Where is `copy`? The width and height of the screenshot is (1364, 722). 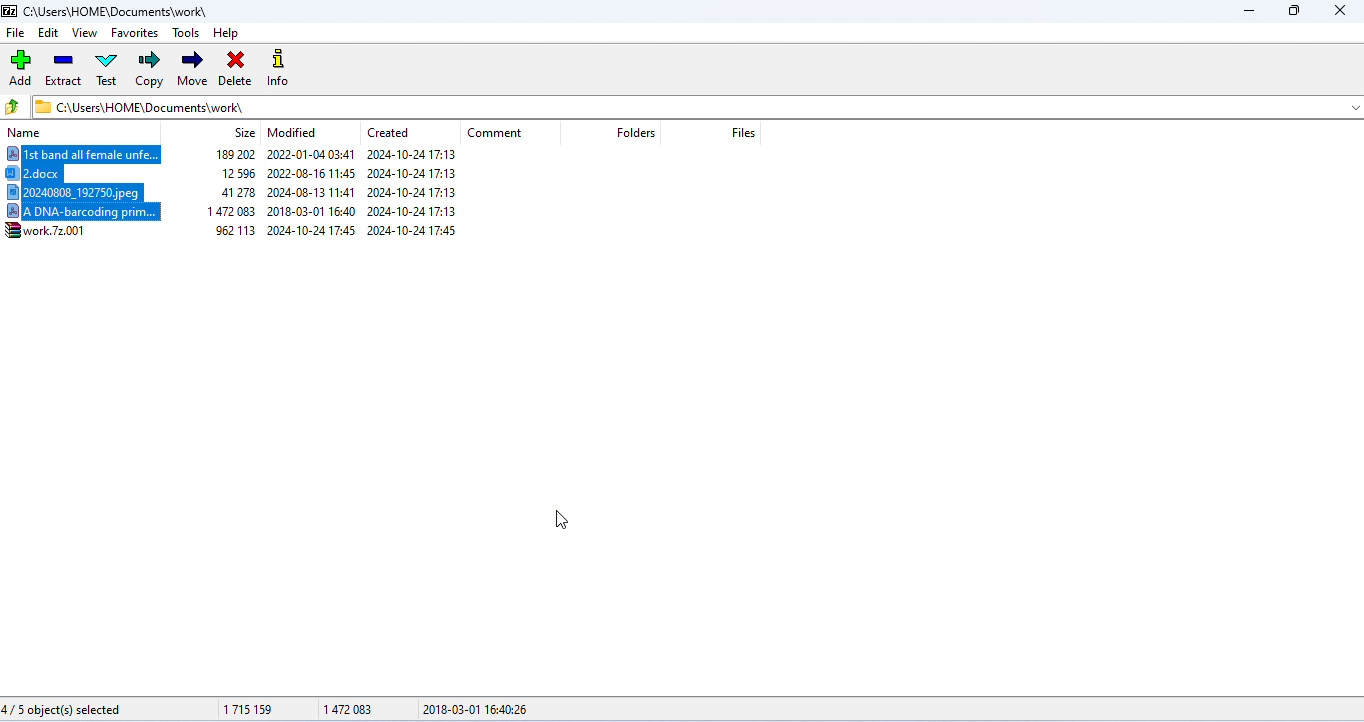 copy is located at coordinates (151, 69).